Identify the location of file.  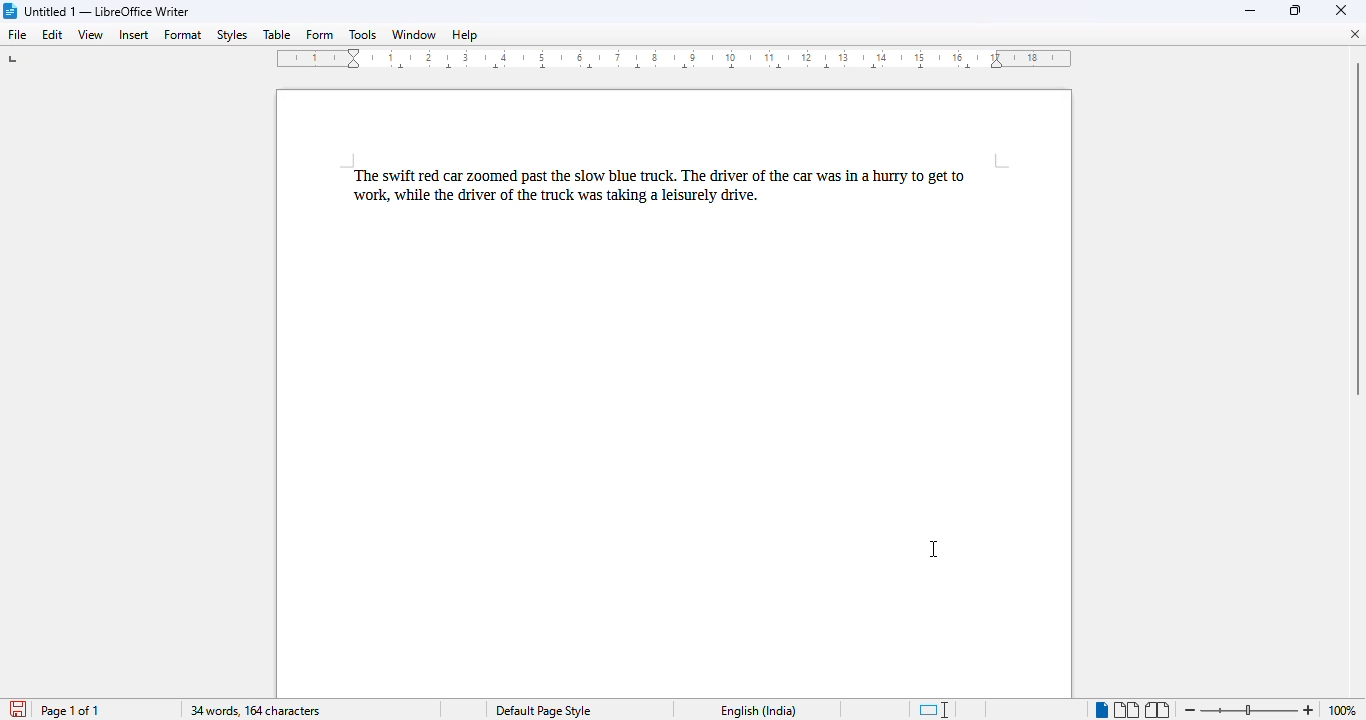
(18, 34).